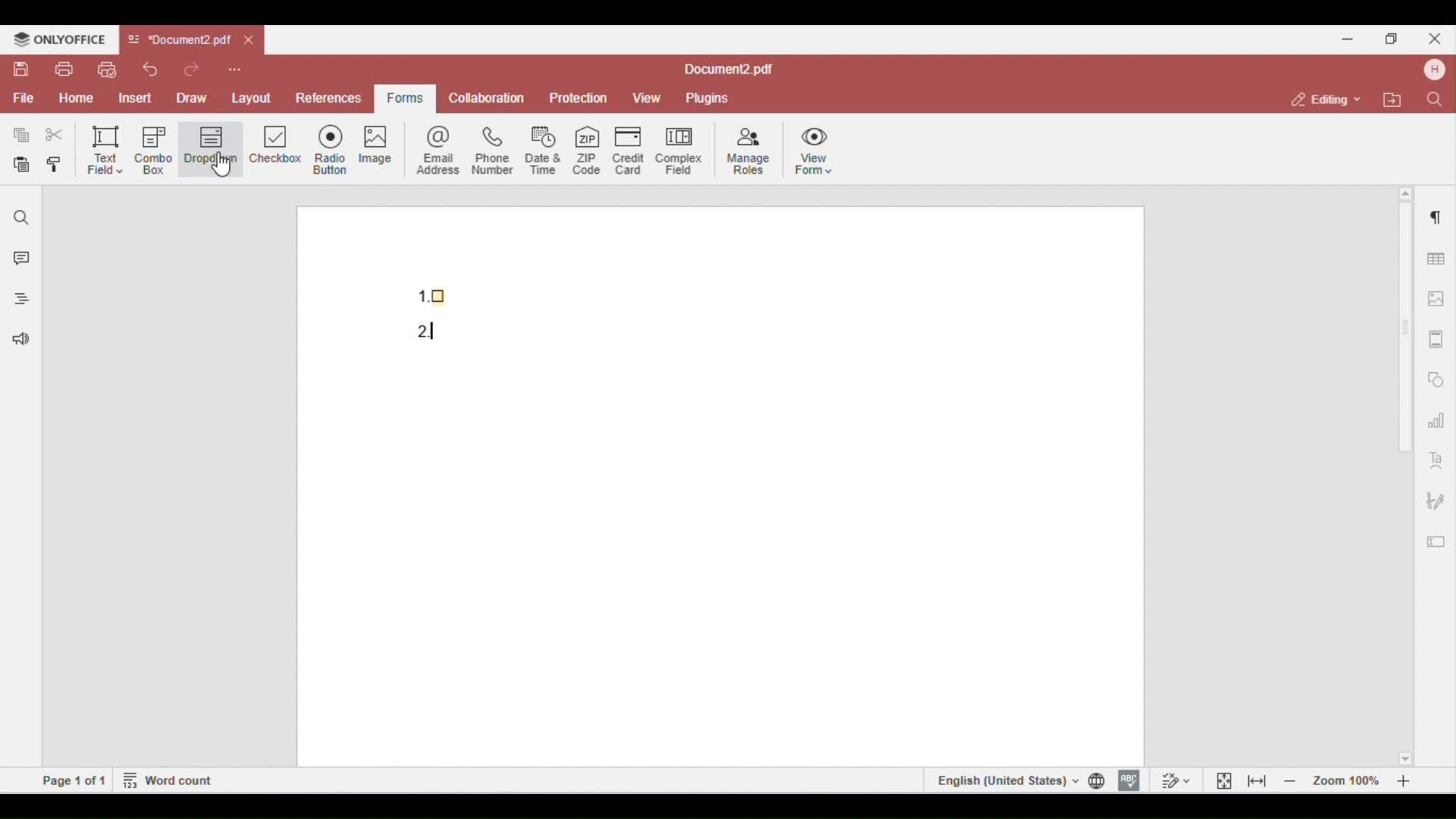 This screenshot has height=819, width=1456. What do you see at coordinates (138, 98) in the screenshot?
I see `insert` at bounding box center [138, 98].